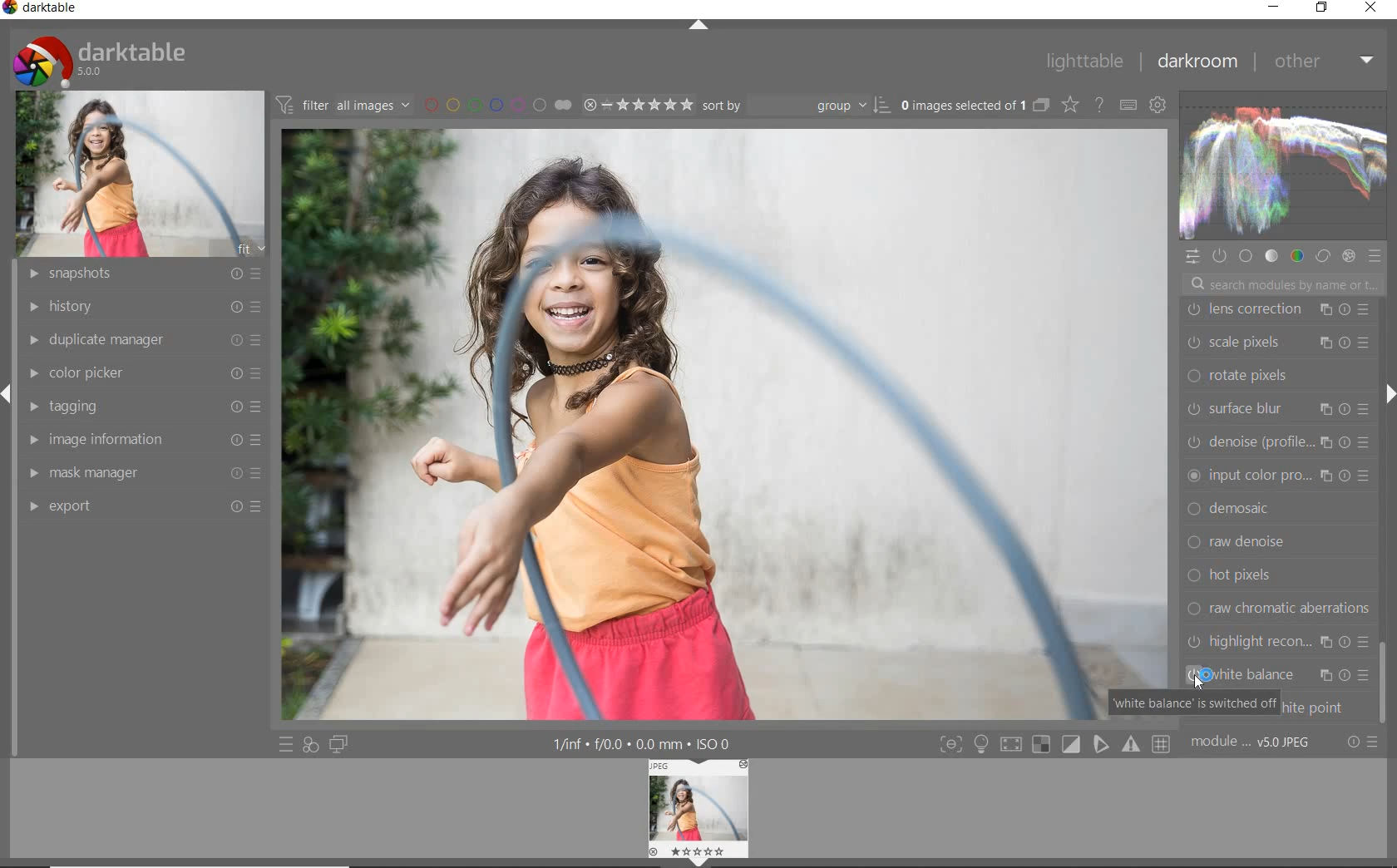 This screenshot has height=868, width=1397. I want to click on split toning, so click(1279, 513).